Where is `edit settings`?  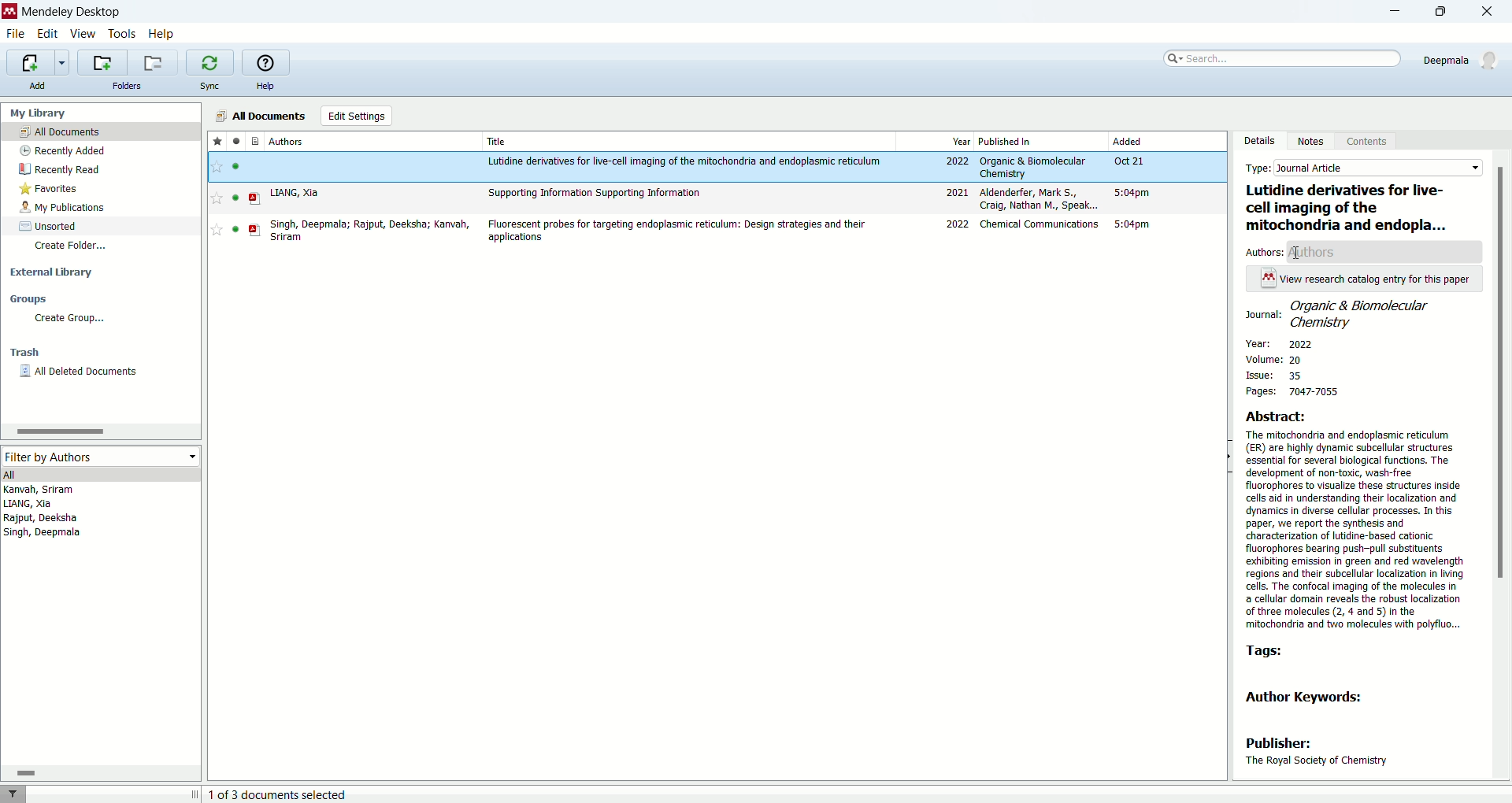 edit settings is located at coordinates (357, 117).